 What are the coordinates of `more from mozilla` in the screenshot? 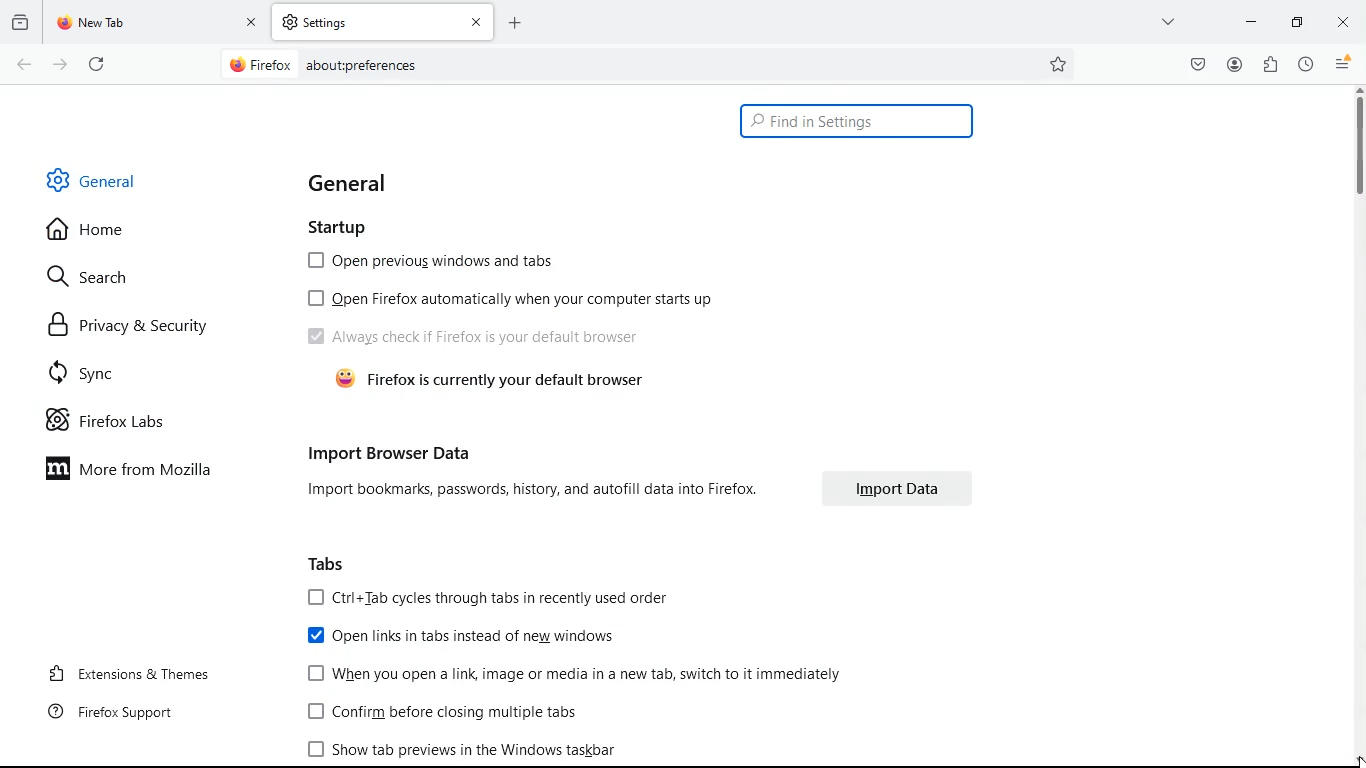 It's located at (141, 472).